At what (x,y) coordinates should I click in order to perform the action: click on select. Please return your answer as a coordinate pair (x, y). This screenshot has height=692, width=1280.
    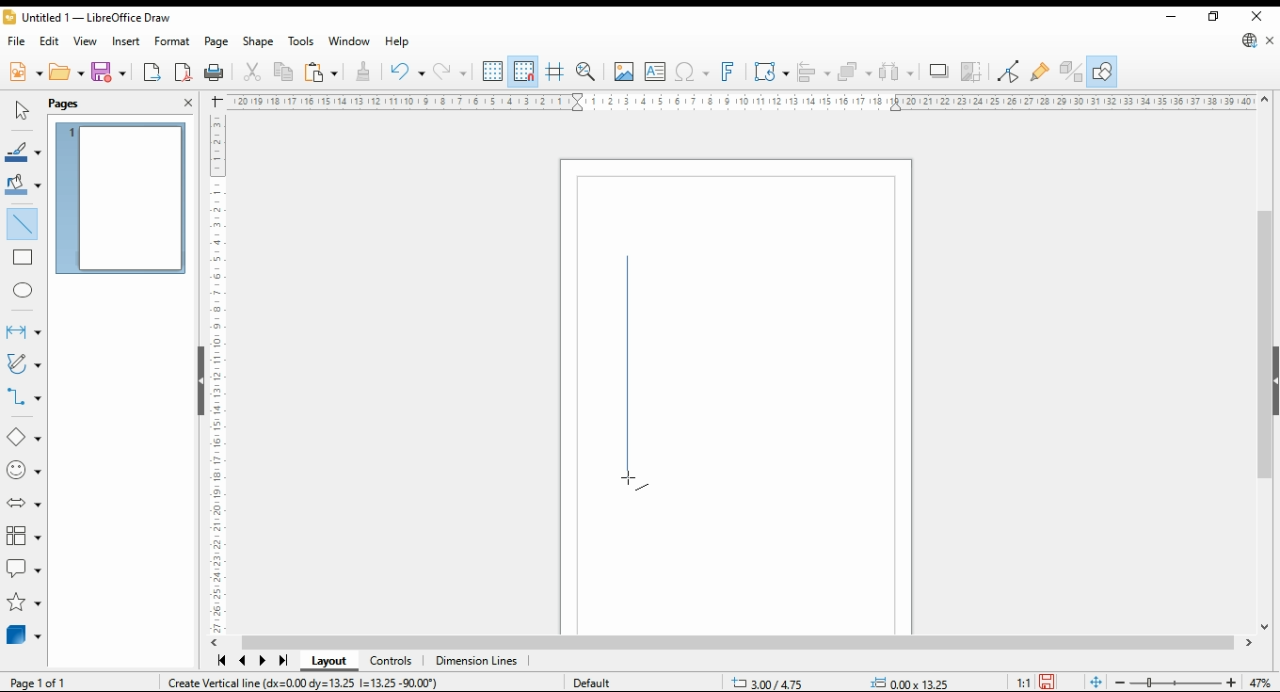
    Looking at the image, I should click on (22, 110).